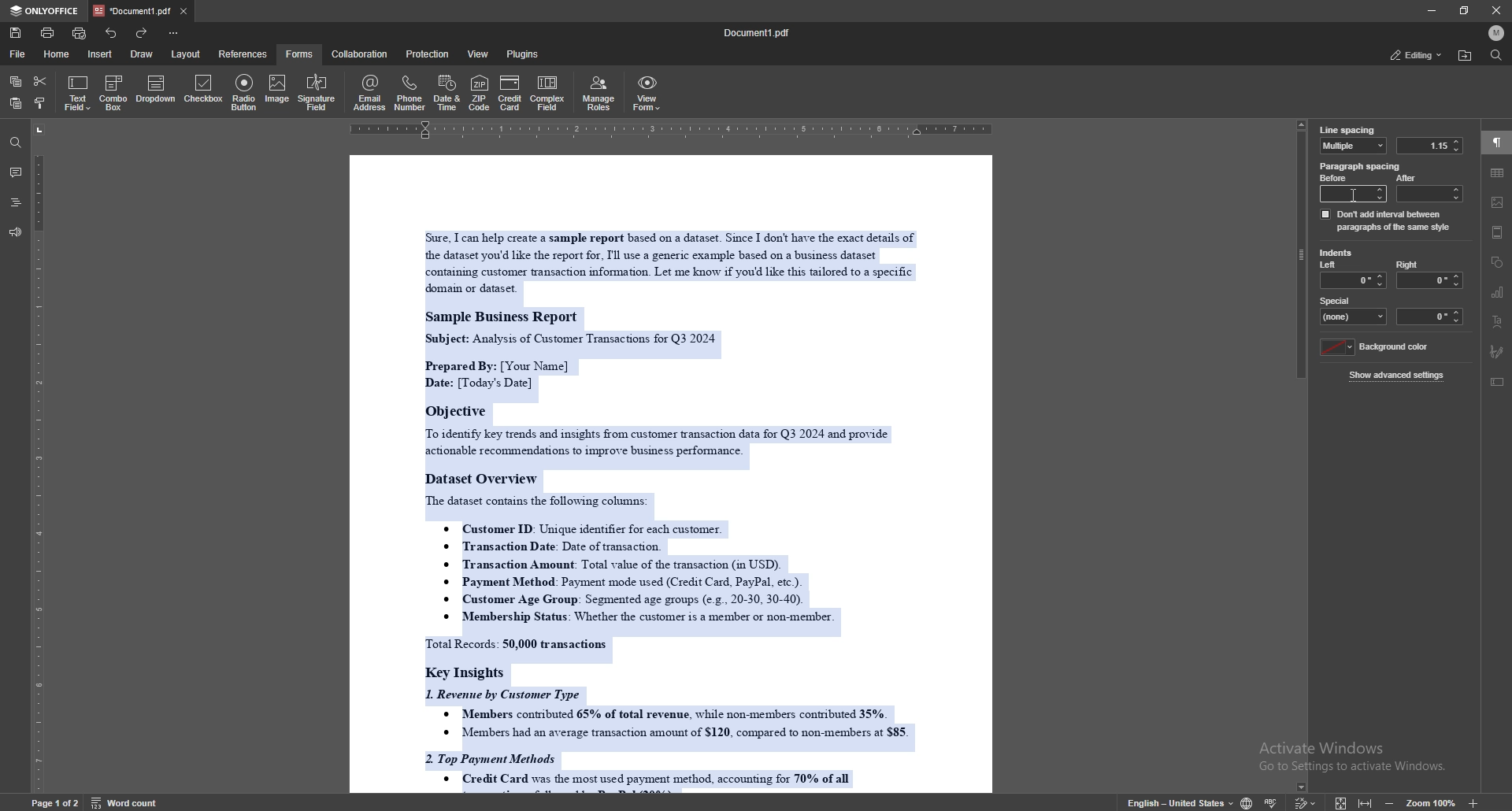 The height and width of the screenshot is (811, 1512). I want to click on vertical scale, so click(39, 458).